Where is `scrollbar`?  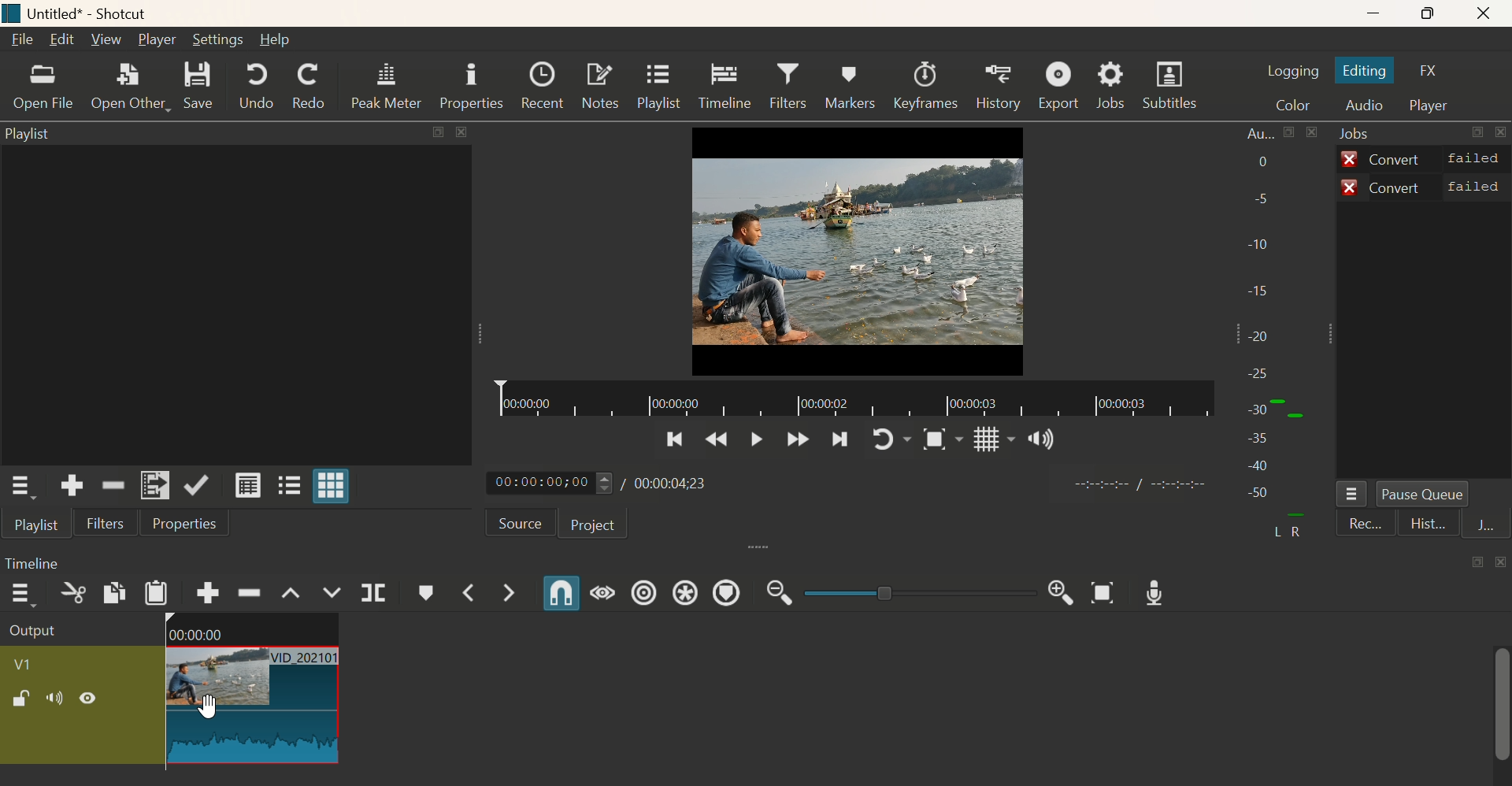 scrollbar is located at coordinates (1503, 714).